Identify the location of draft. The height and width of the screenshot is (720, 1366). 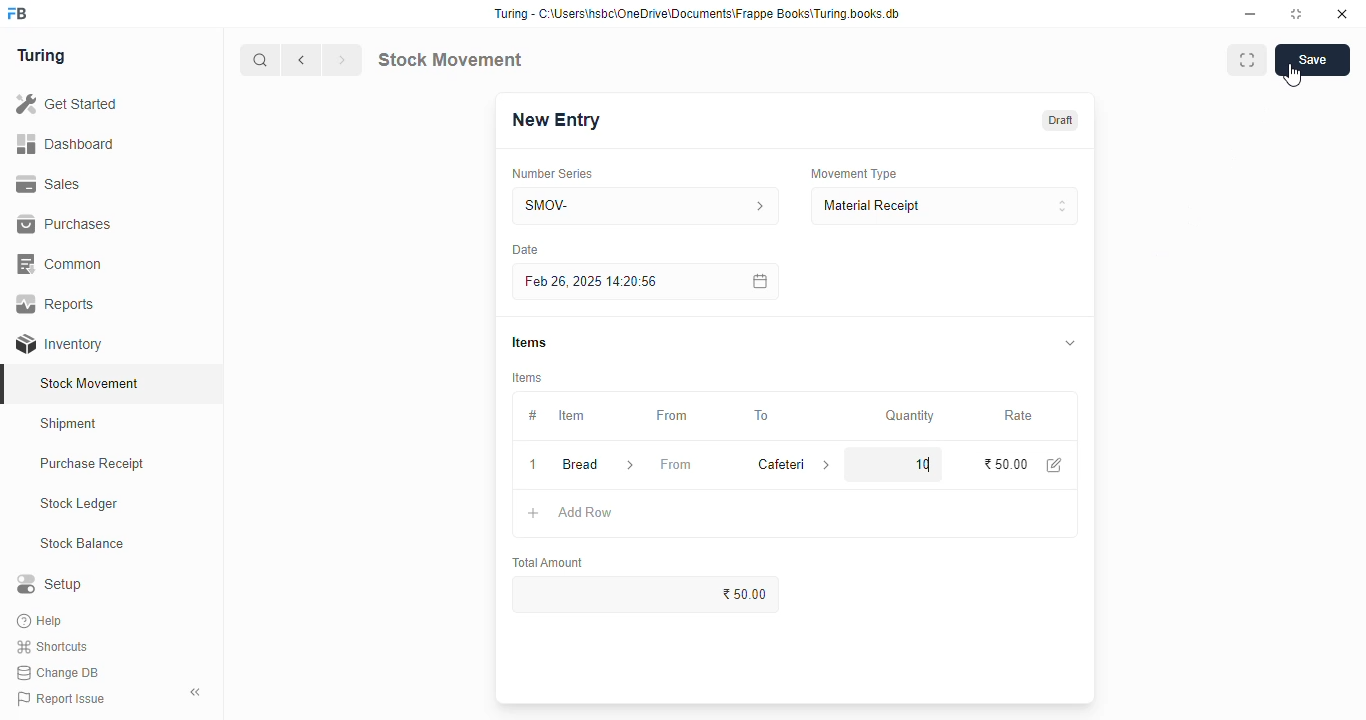
(1062, 120).